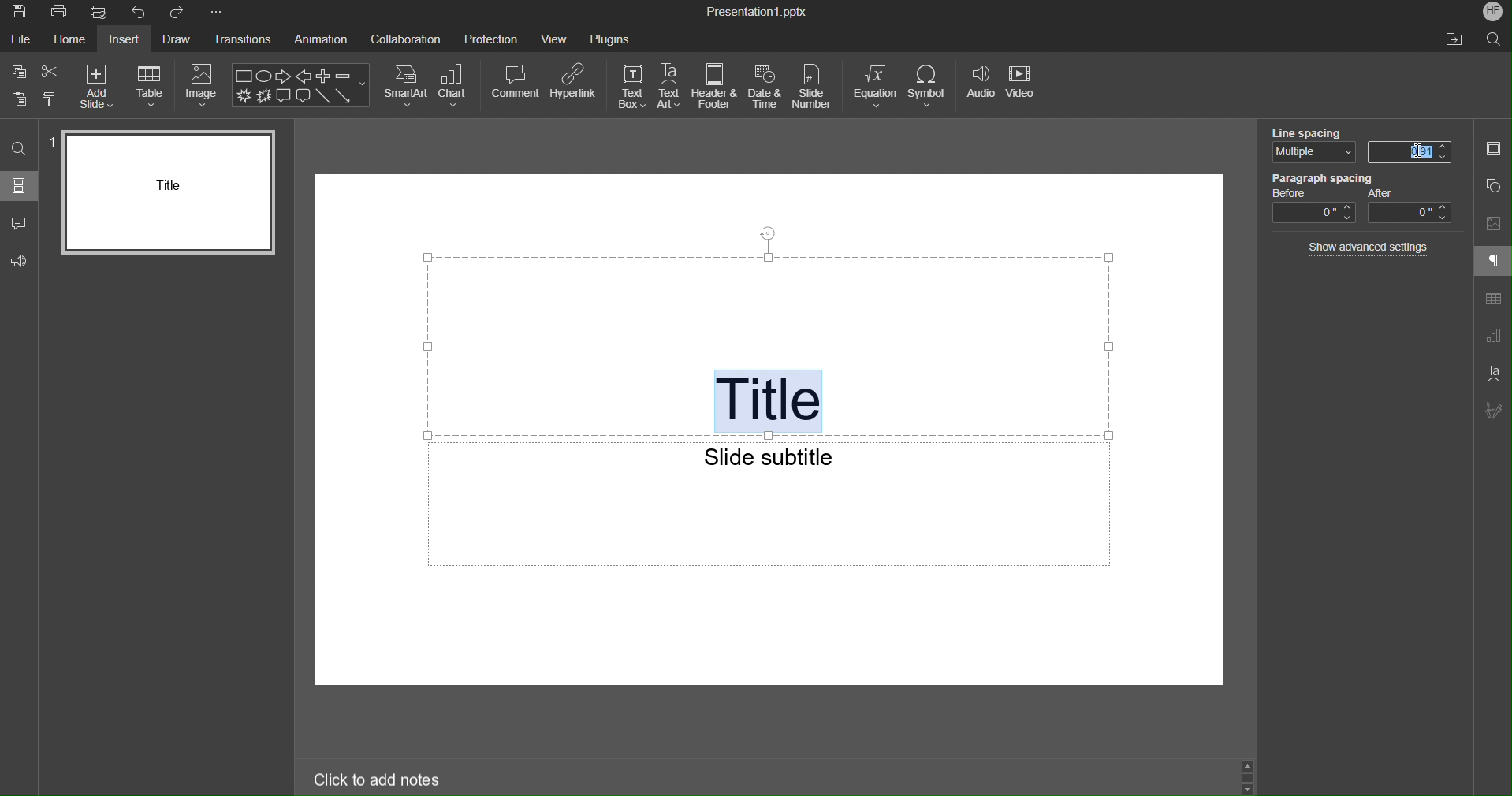 The image size is (1512, 796). Describe the element at coordinates (102, 13) in the screenshot. I see `Quick Print` at that location.